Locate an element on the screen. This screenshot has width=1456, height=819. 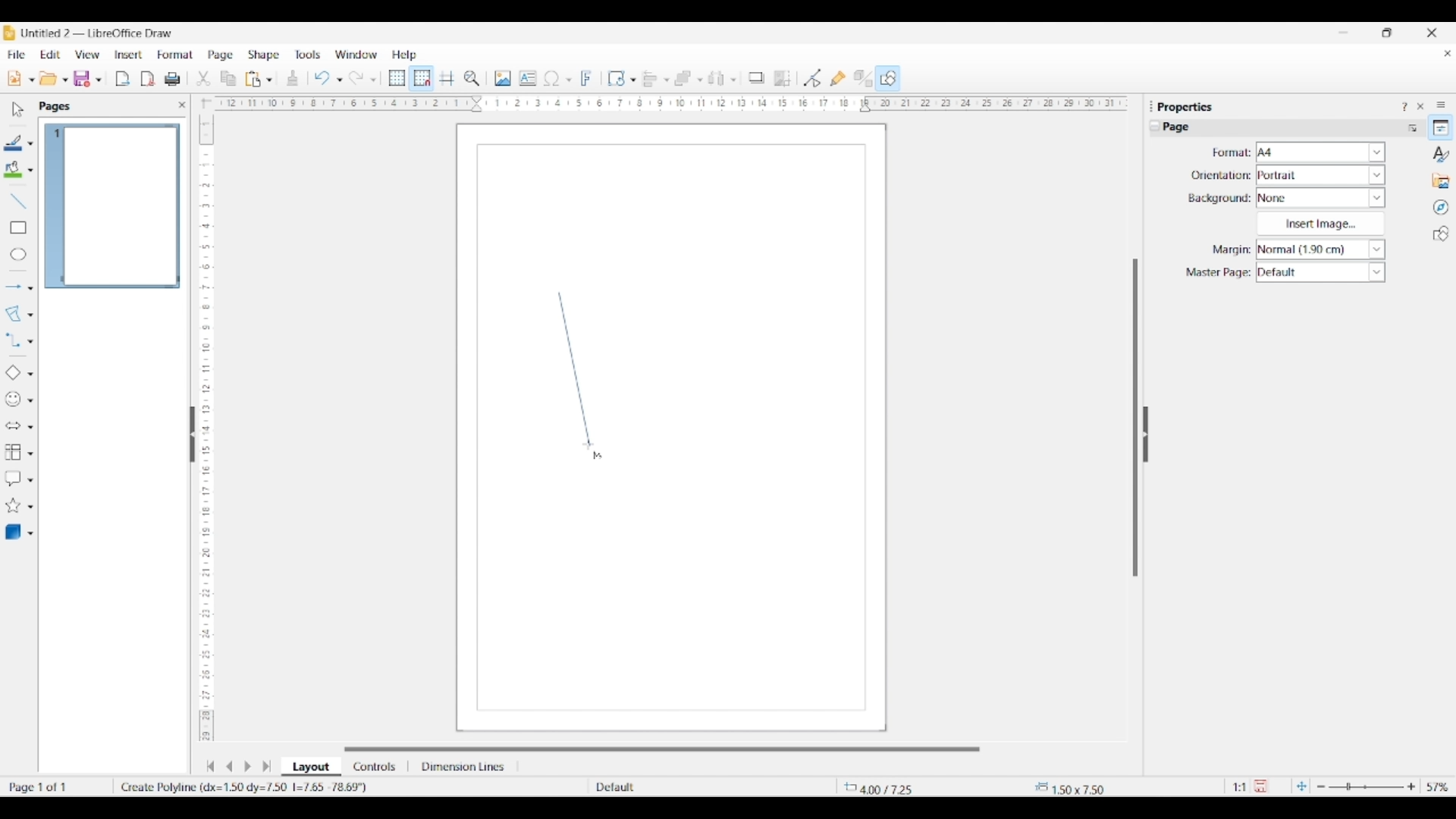
Show draw functions is located at coordinates (888, 77).